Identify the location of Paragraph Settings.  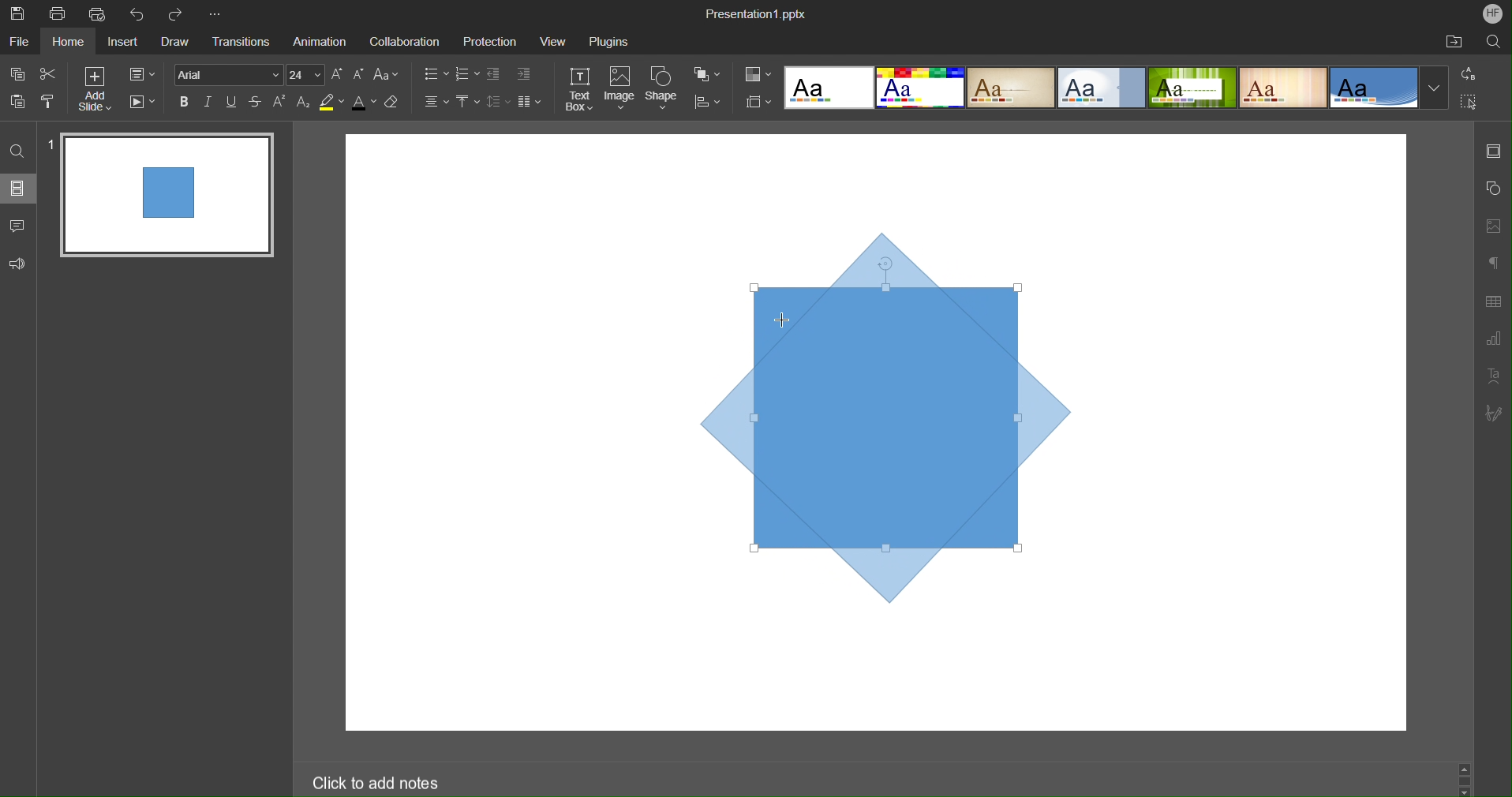
(1491, 263).